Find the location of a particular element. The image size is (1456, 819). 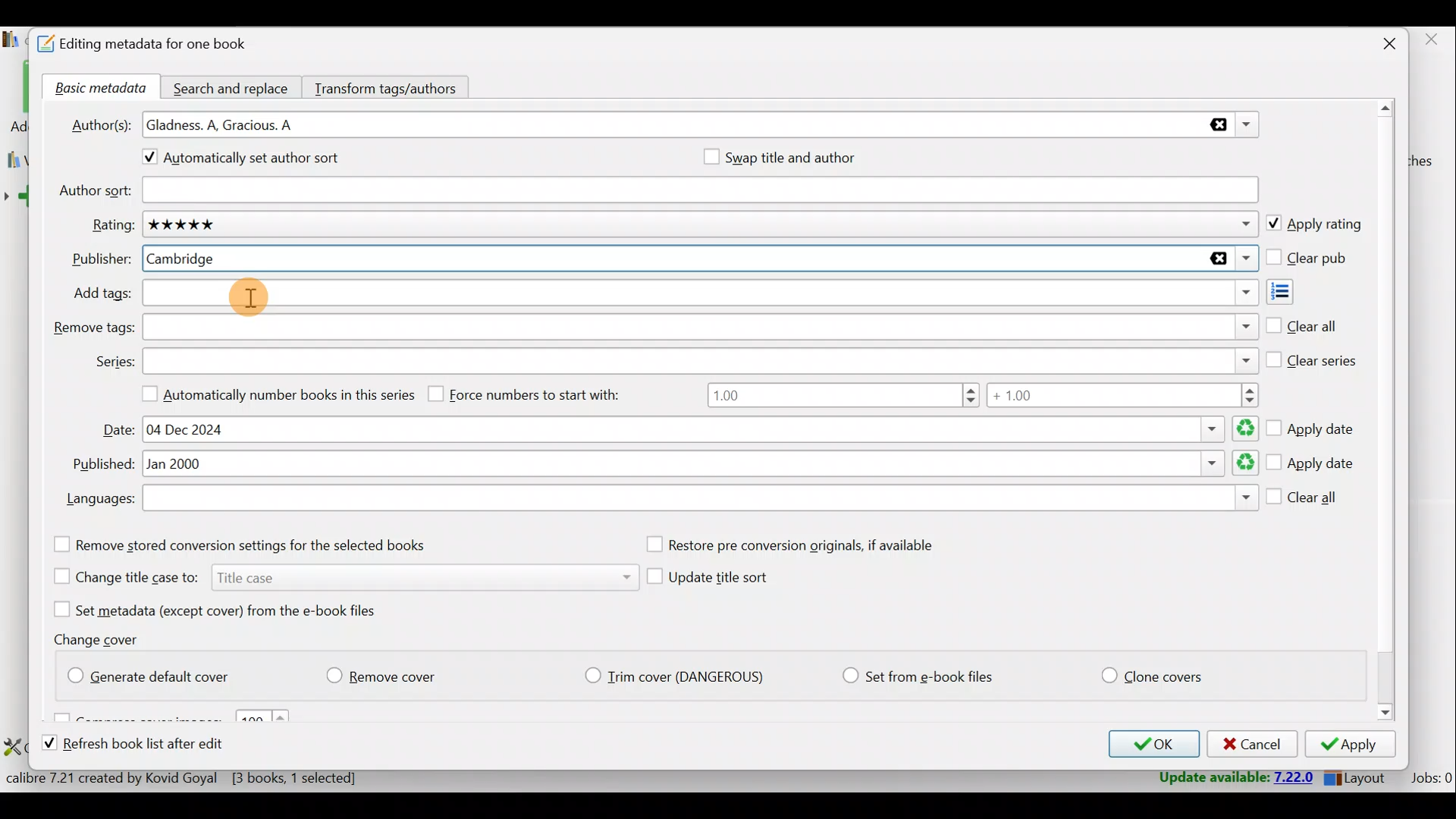

Change cover is located at coordinates (102, 639).